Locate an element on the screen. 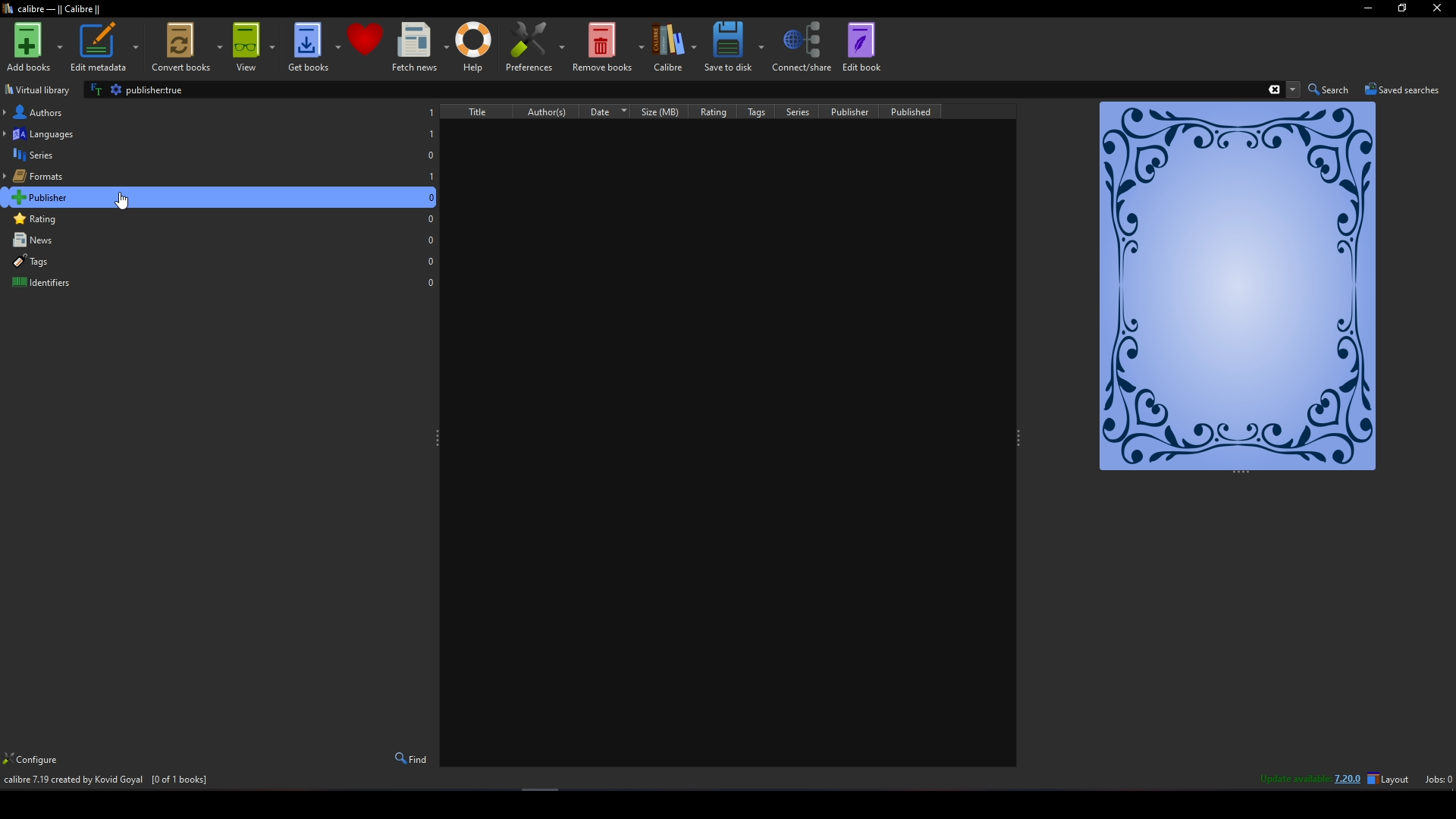 This screenshot has width=1456, height=819. 1200 Wiayout Jo is located at coordinates (1392, 777).